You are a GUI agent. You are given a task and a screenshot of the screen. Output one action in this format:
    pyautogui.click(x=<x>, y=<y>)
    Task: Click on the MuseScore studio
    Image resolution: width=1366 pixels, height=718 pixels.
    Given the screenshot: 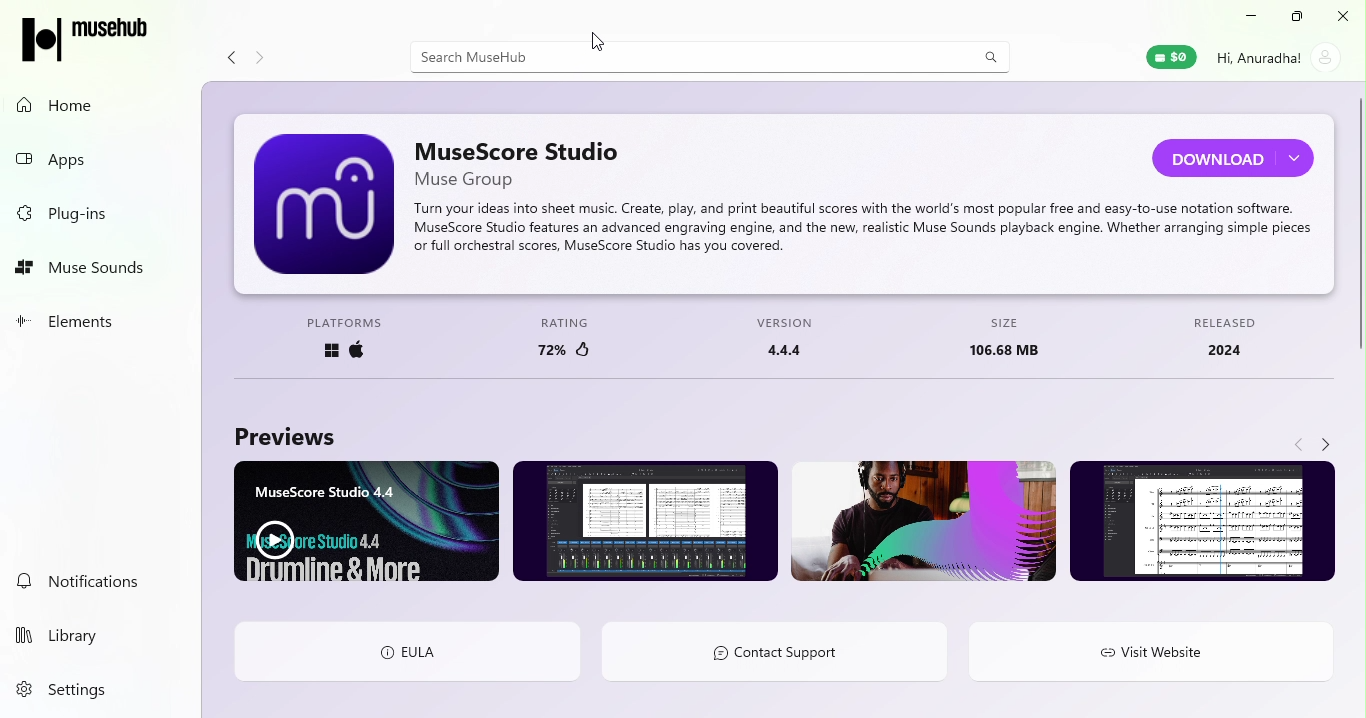 What is the action you would take?
    pyautogui.click(x=524, y=159)
    